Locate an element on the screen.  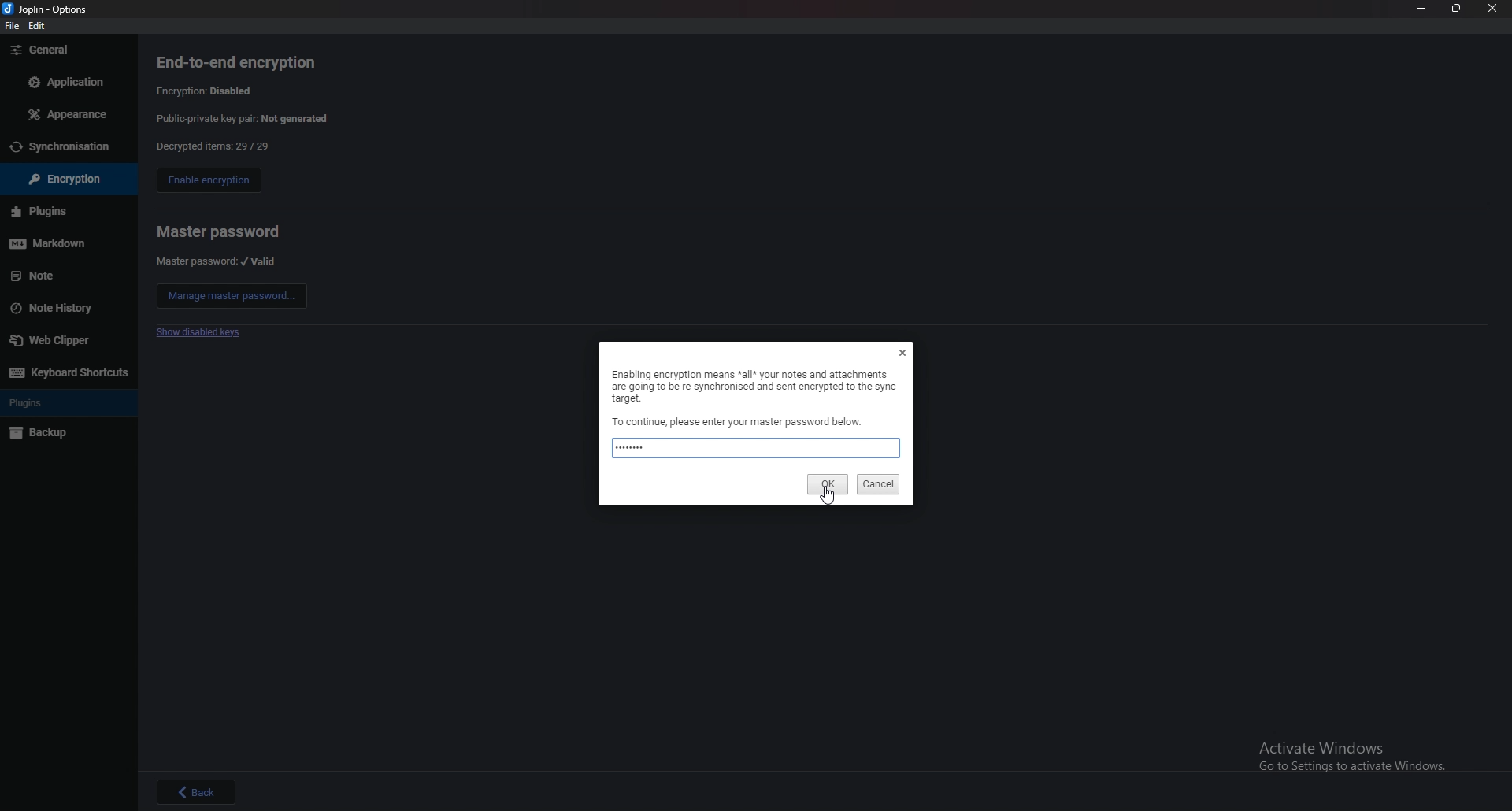
 is located at coordinates (1493, 10).